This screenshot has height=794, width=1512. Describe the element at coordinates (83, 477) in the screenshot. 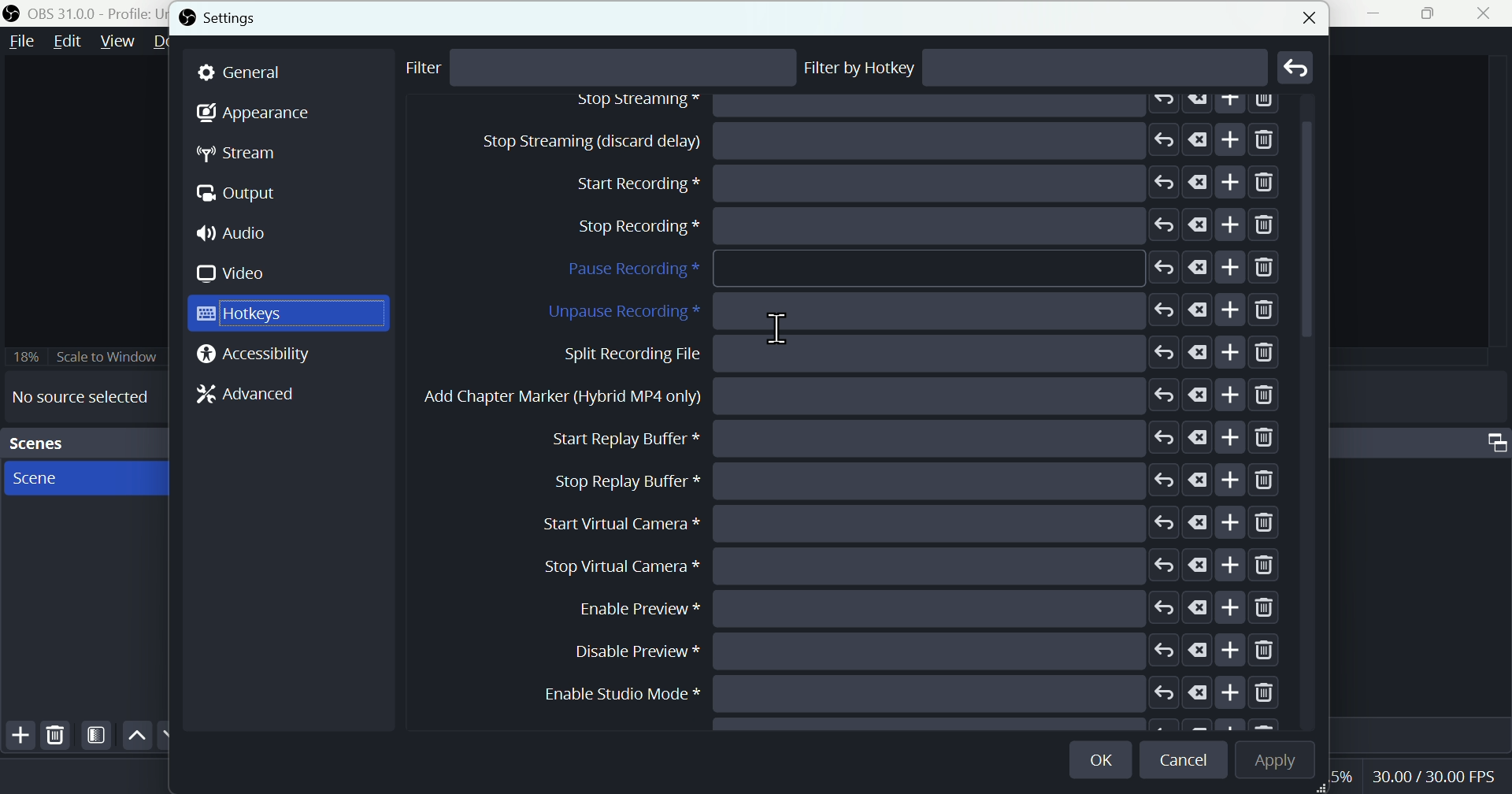

I see `scenes` at that location.